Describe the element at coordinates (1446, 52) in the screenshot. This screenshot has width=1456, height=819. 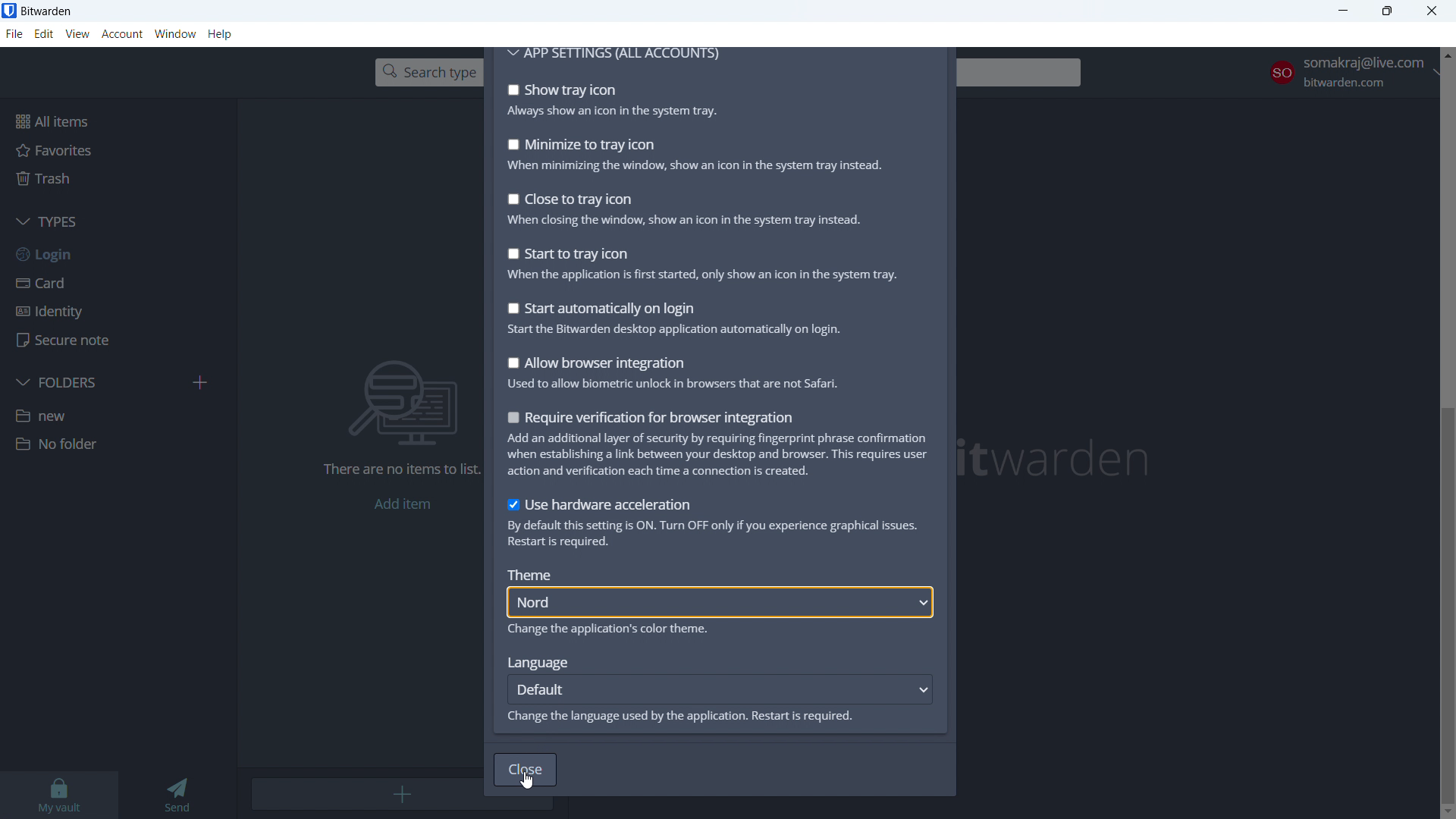
I see `scroll up` at that location.